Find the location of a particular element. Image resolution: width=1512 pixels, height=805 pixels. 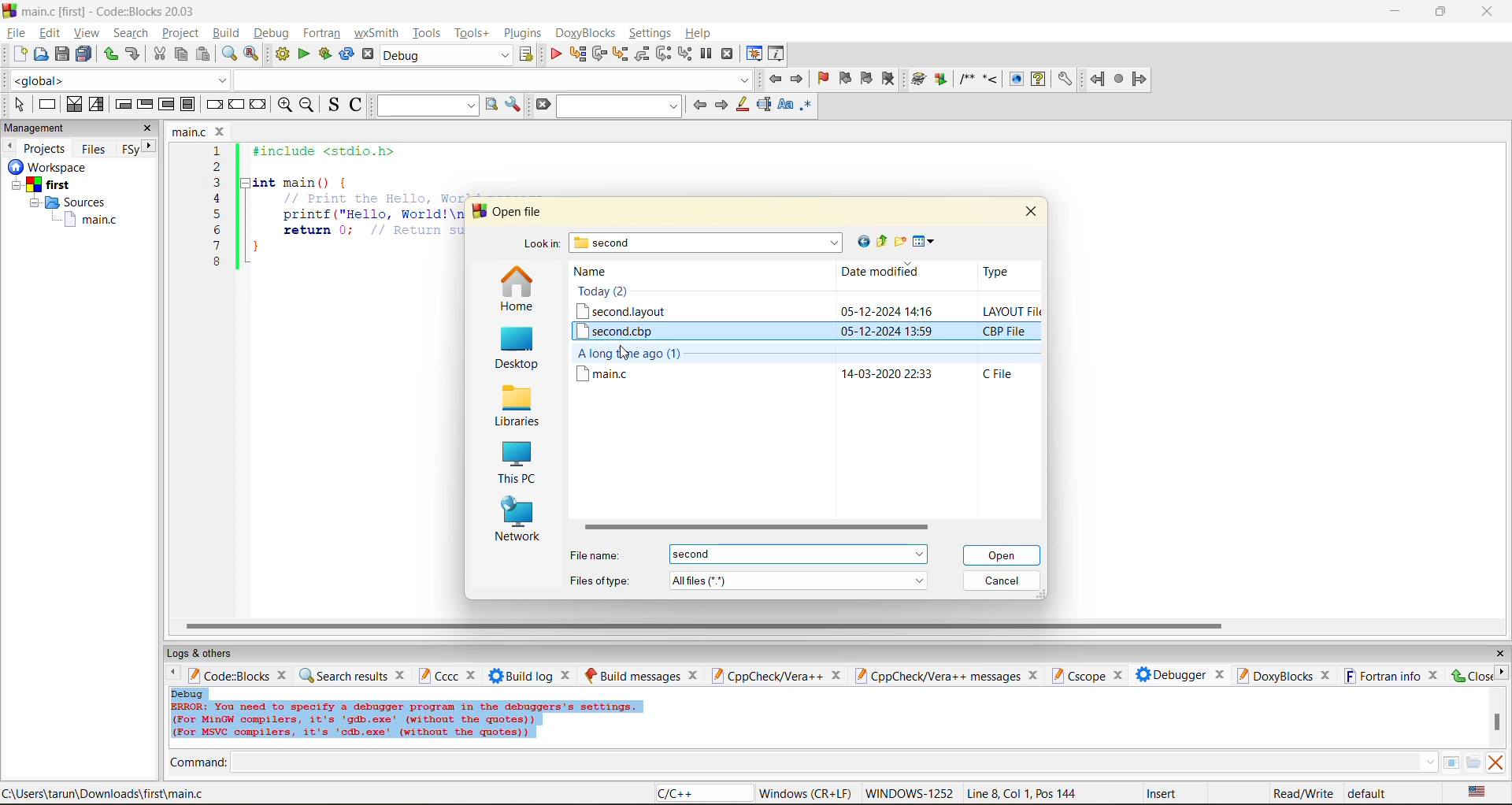

project is located at coordinates (180, 32).